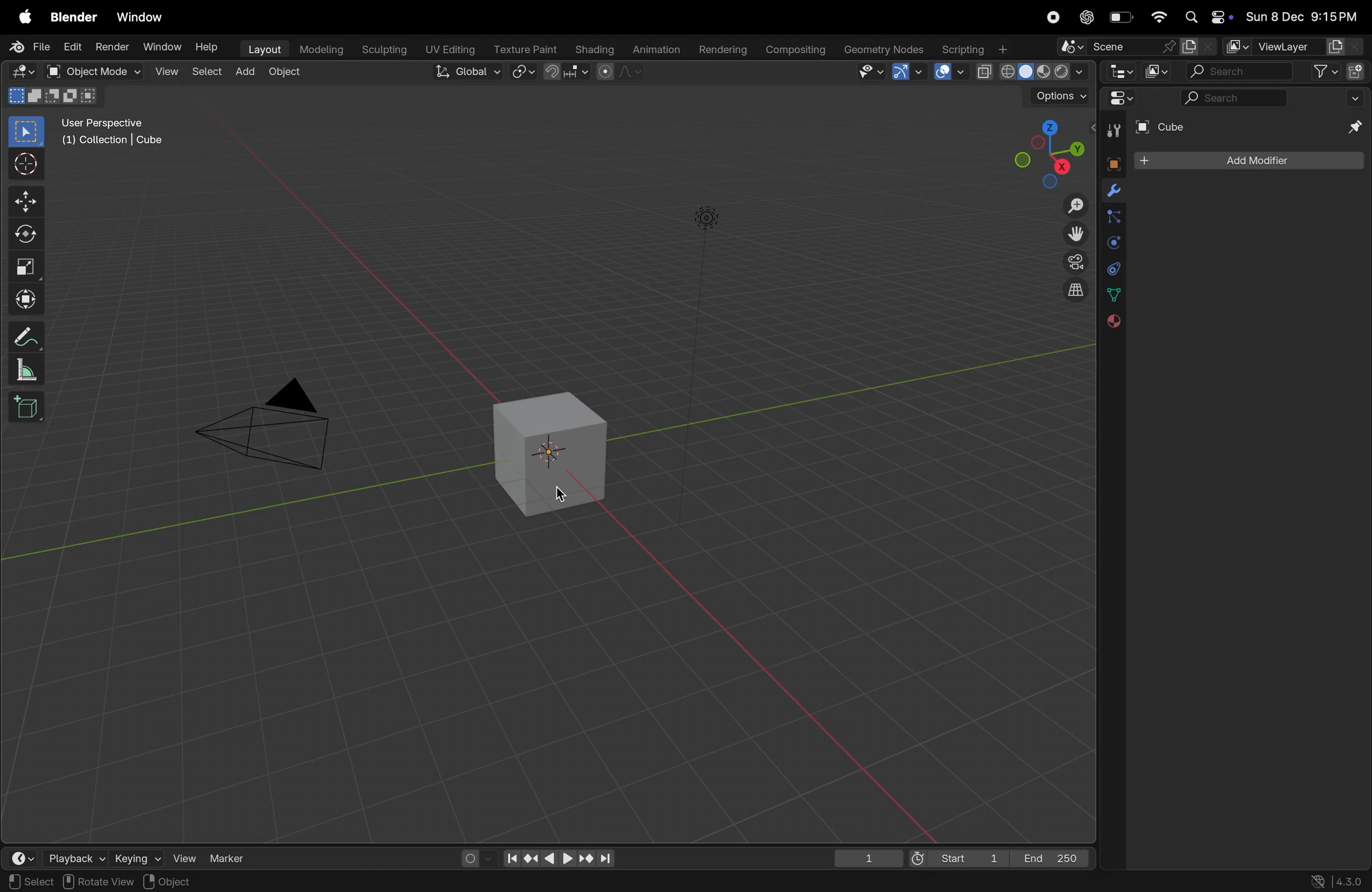 Image resolution: width=1372 pixels, height=892 pixels. What do you see at coordinates (867, 71) in the screenshot?
I see `selectibality` at bounding box center [867, 71].